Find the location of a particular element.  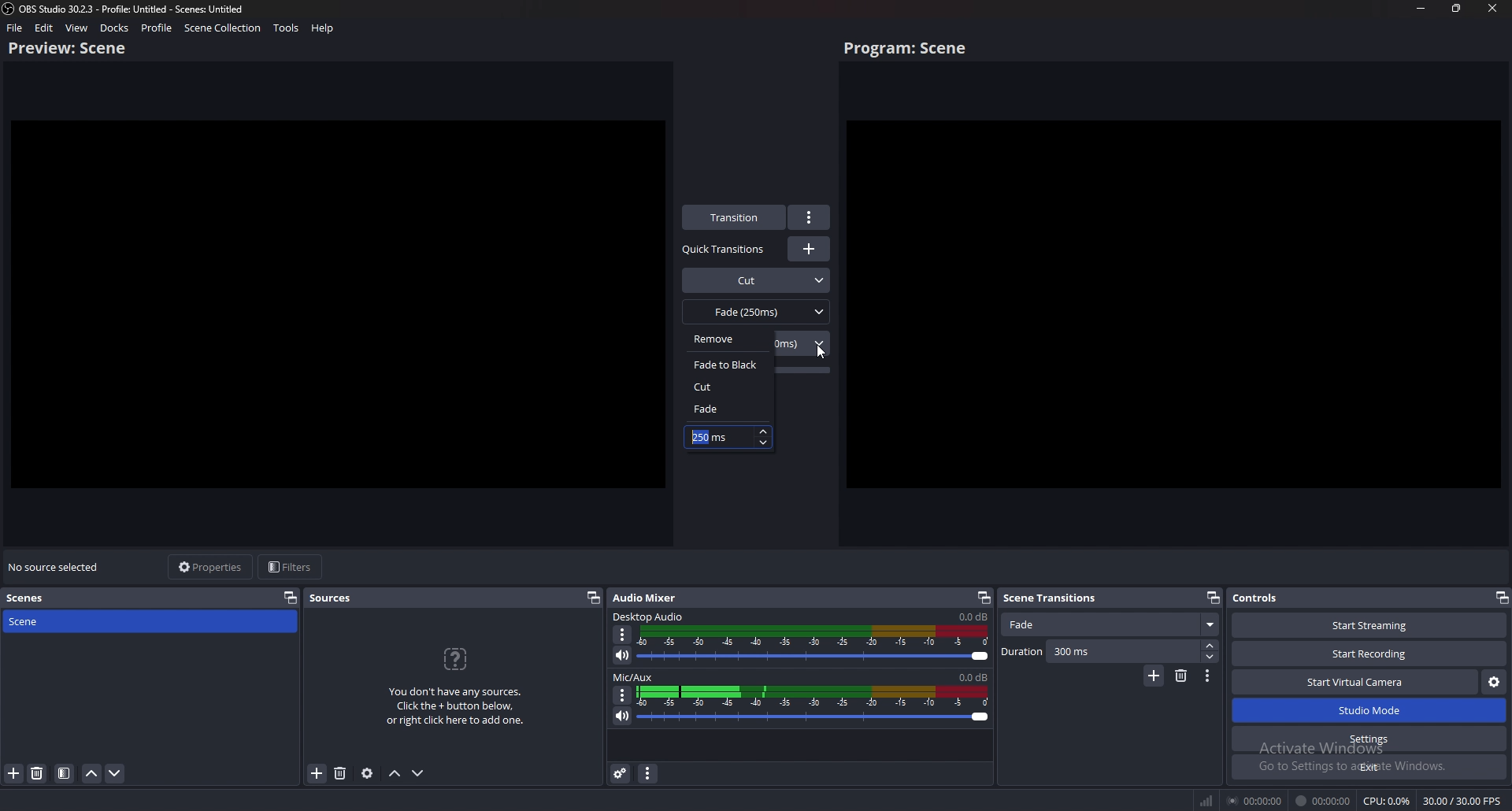

mic/aux sound is located at coordinates (972, 676).